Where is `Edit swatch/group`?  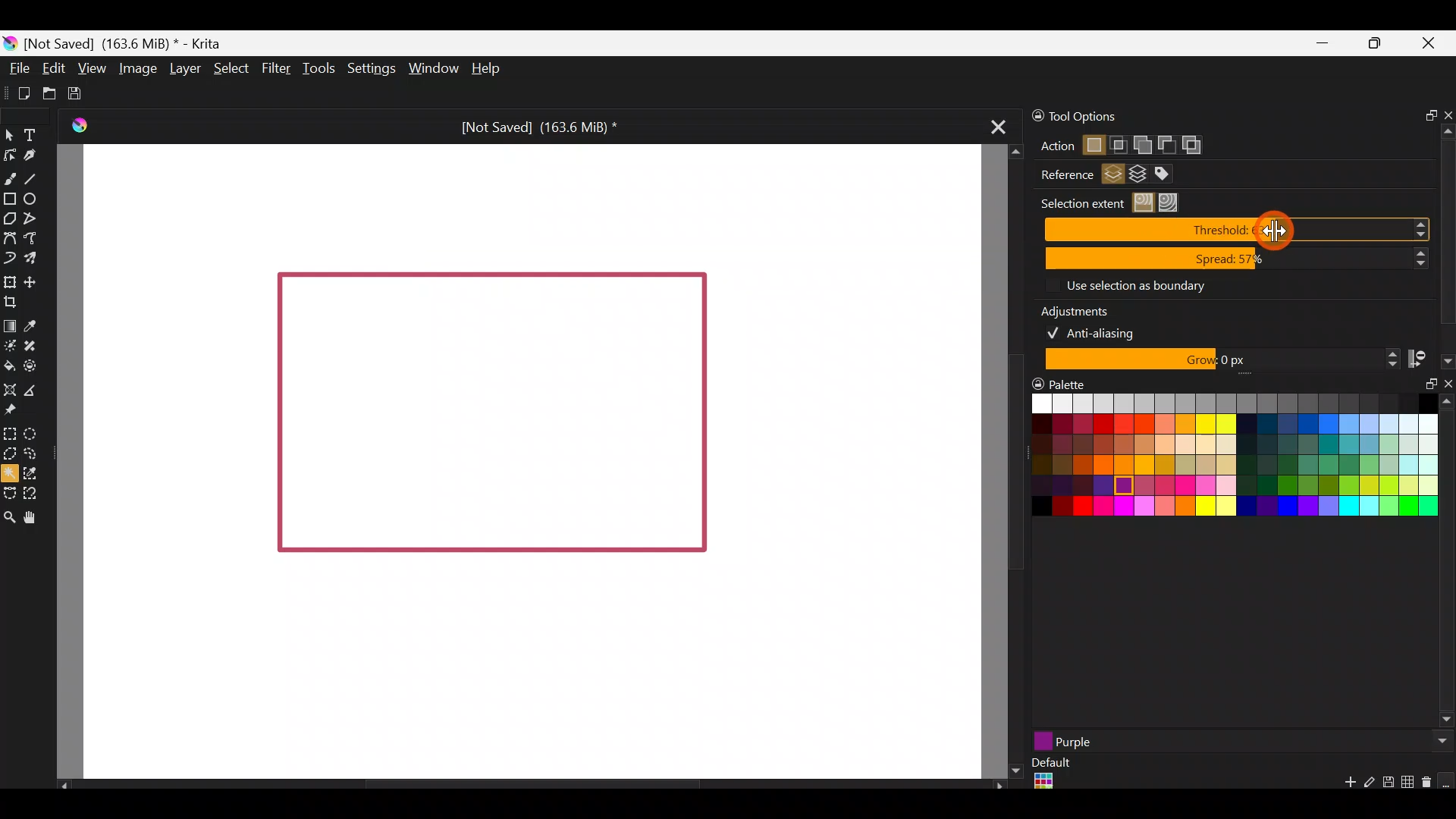 Edit swatch/group is located at coordinates (1370, 786).